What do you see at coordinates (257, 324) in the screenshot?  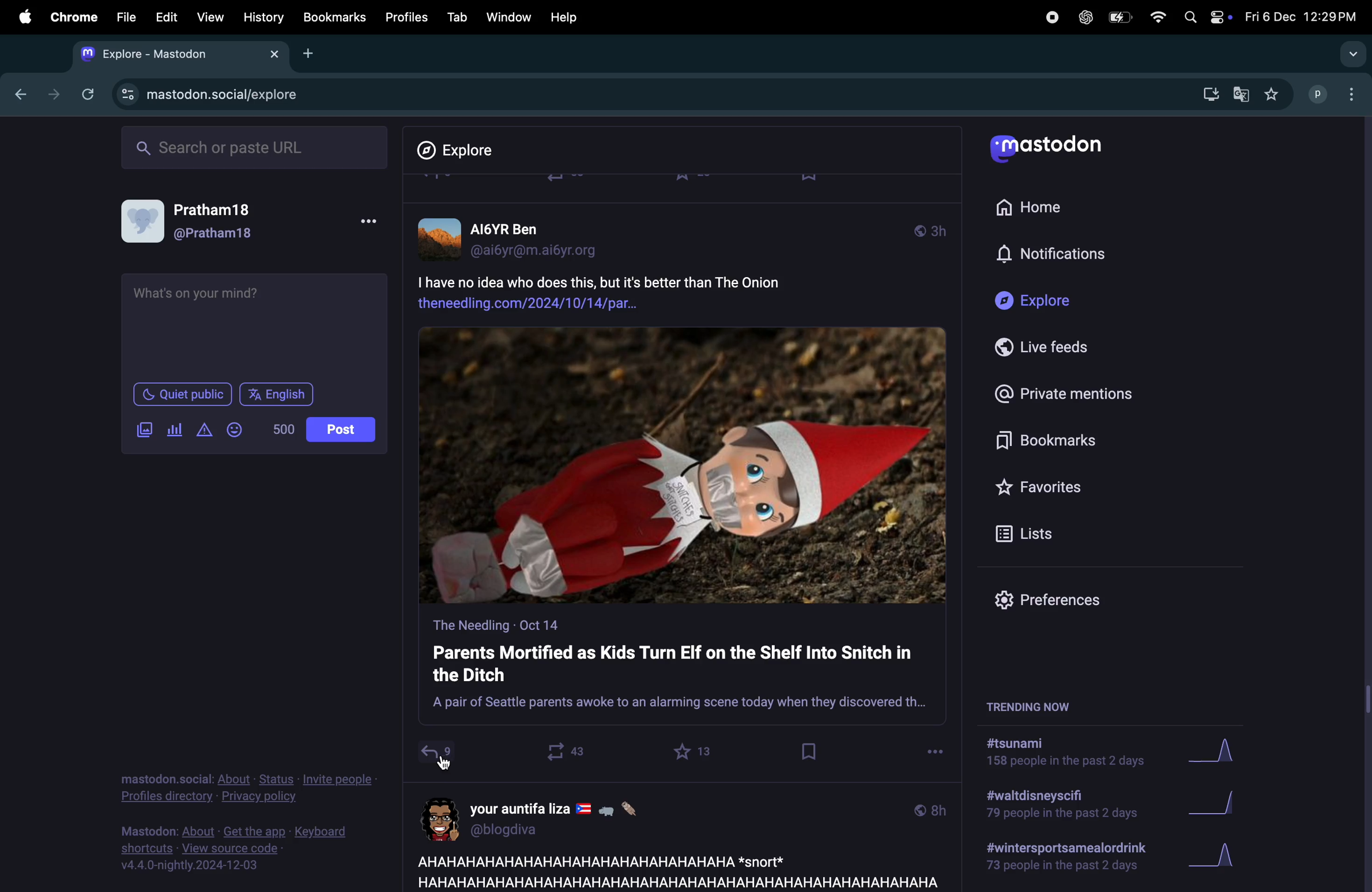 I see `text box` at bounding box center [257, 324].